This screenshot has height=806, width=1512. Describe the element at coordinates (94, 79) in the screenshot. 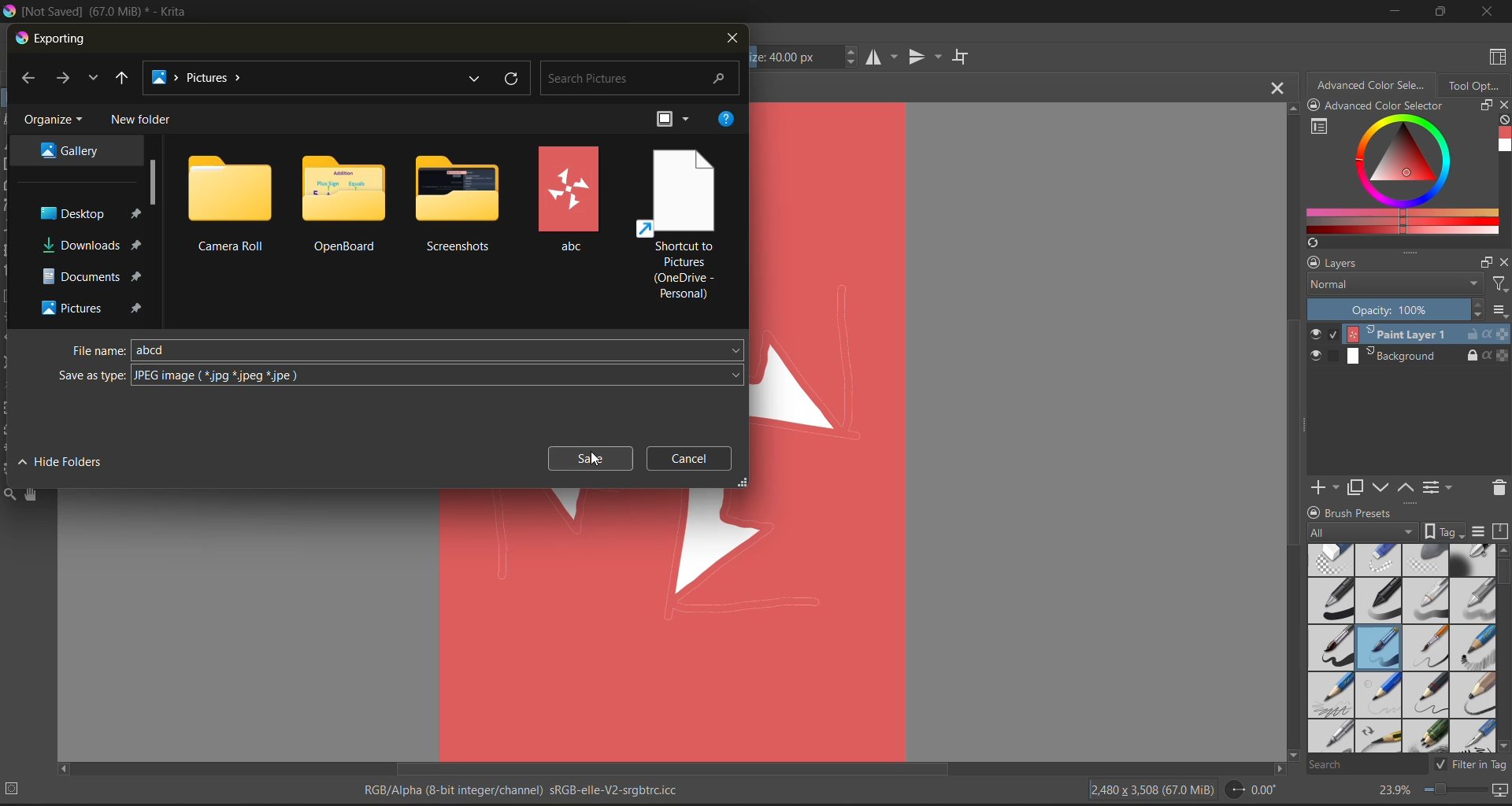

I see `recent ` at that location.